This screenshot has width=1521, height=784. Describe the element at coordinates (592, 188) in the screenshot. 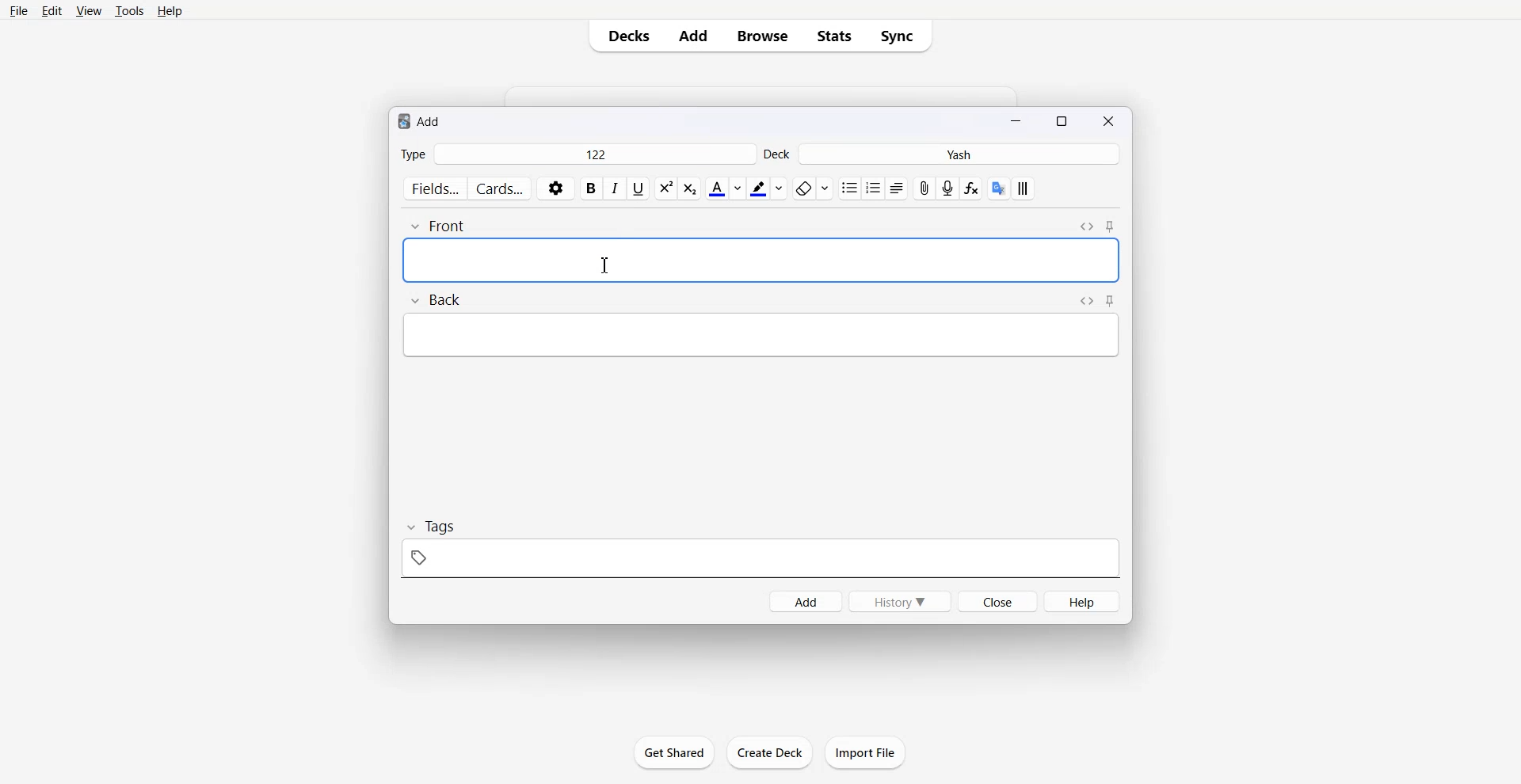

I see `Bold` at that location.